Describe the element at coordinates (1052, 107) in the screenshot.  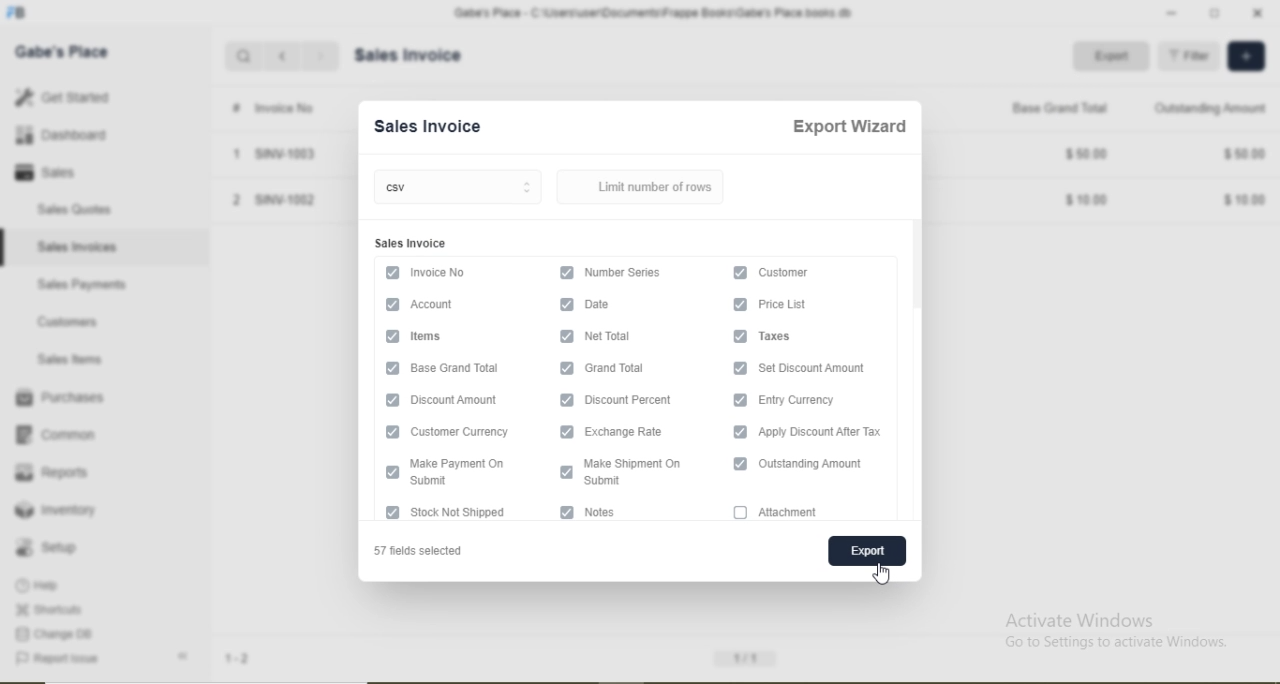
I see `Base Grand Total` at that location.